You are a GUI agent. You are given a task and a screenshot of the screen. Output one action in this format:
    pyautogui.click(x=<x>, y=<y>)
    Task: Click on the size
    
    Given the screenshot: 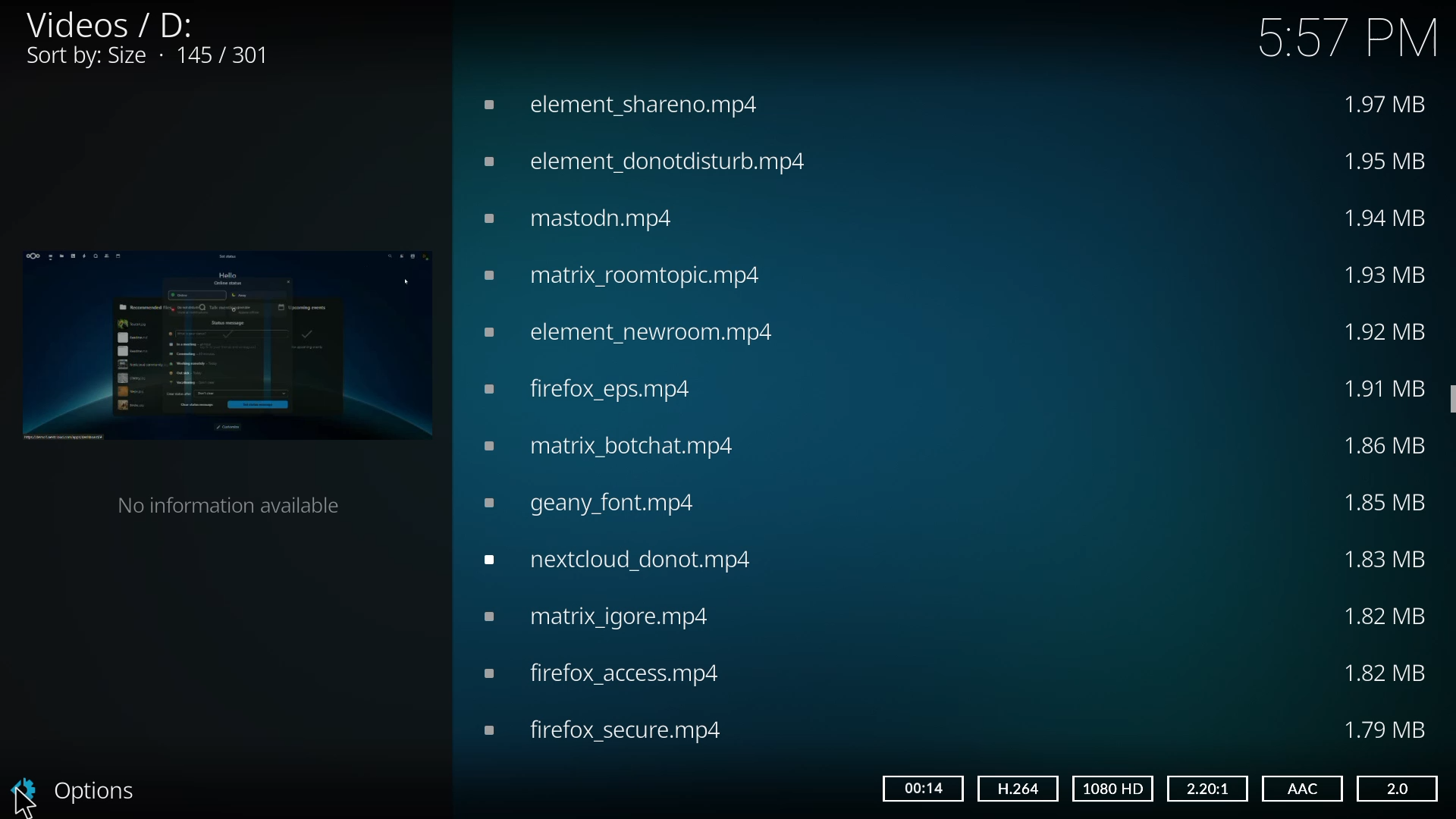 What is the action you would take?
    pyautogui.click(x=1384, y=618)
    